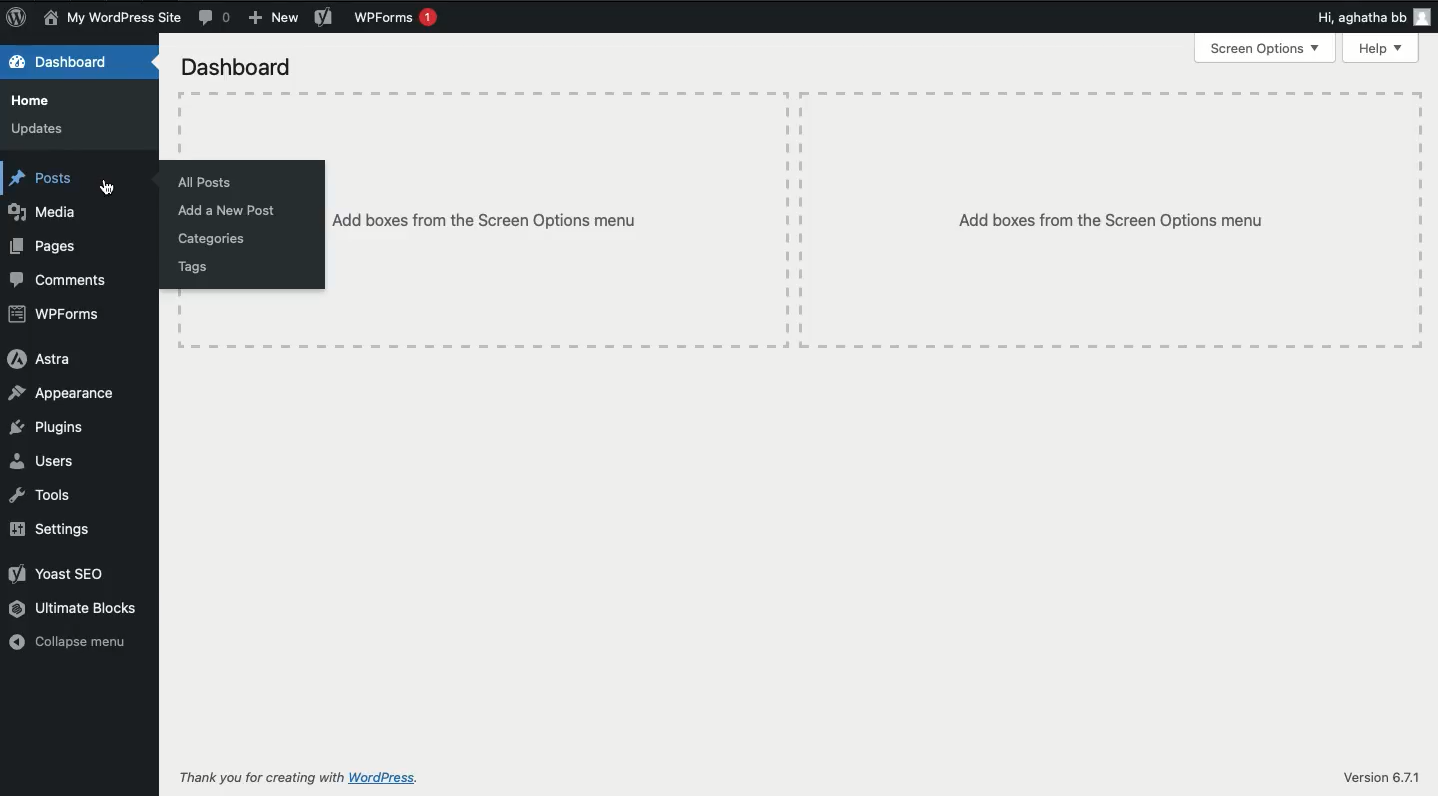 The height and width of the screenshot is (796, 1438). Describe the element at coordinates (53, 315) in the screenshot. I see `WPForms` at that location.